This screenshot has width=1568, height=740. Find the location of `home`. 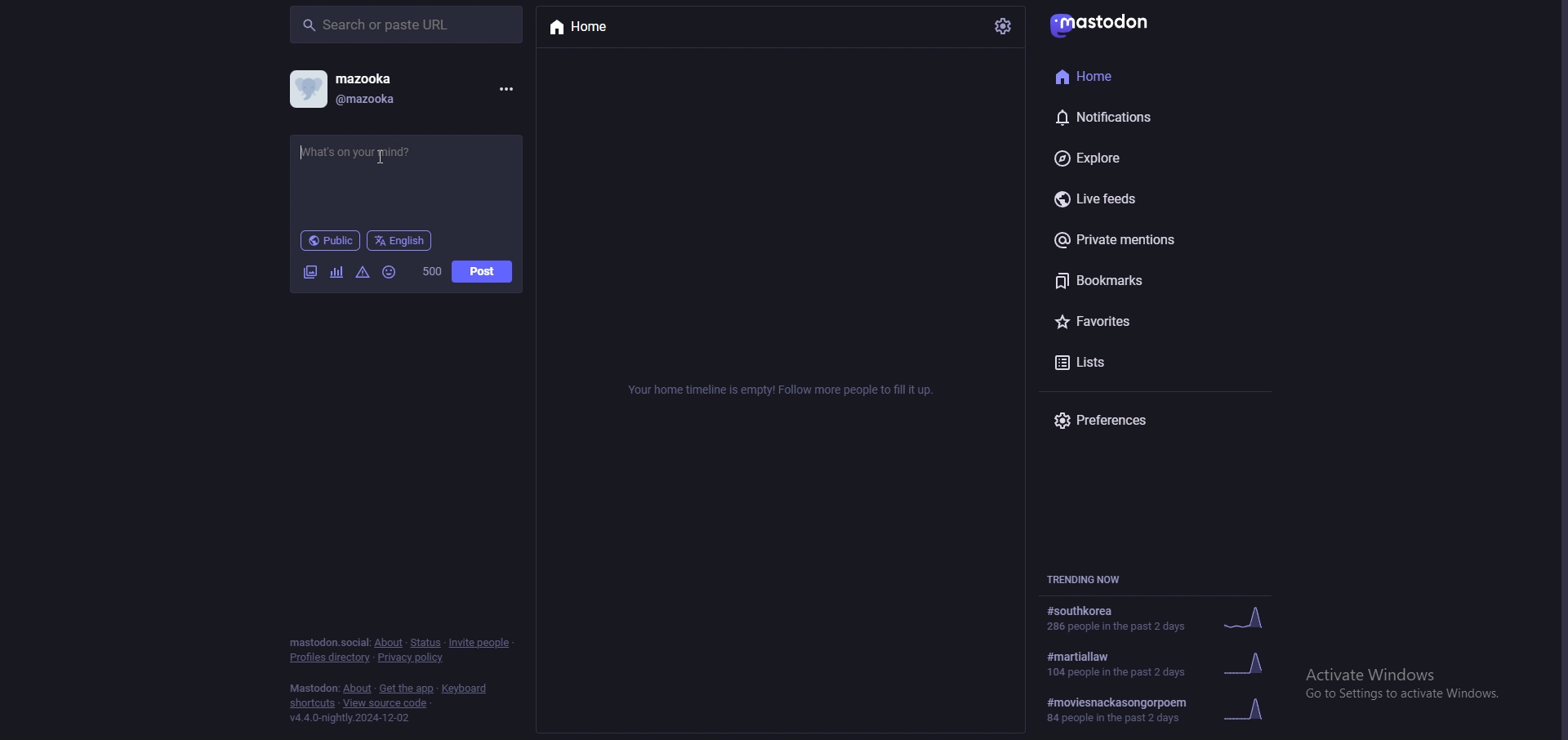

home is located at coordinates (1134, 74).